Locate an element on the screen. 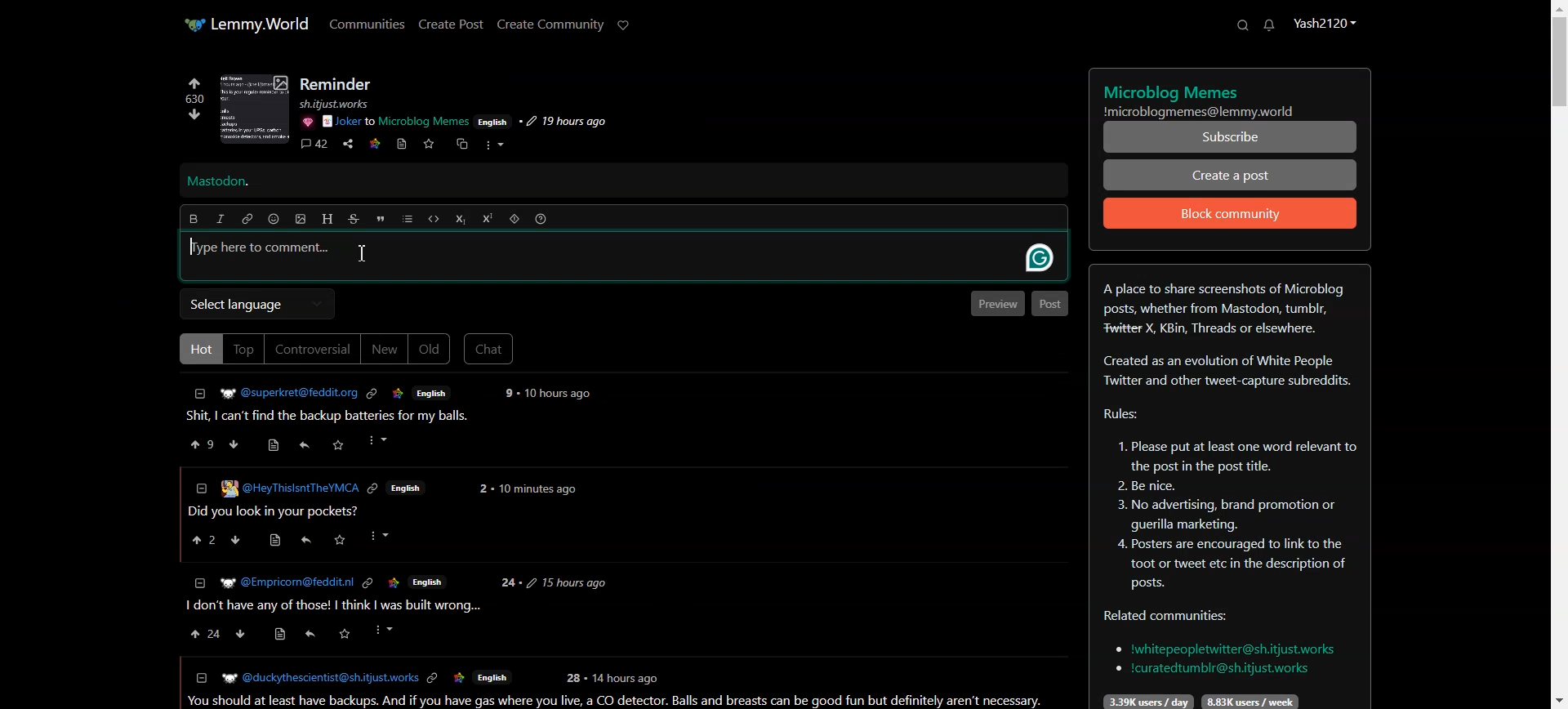 The image size is (1568, 709). ® is located at coordinates (200, 486).